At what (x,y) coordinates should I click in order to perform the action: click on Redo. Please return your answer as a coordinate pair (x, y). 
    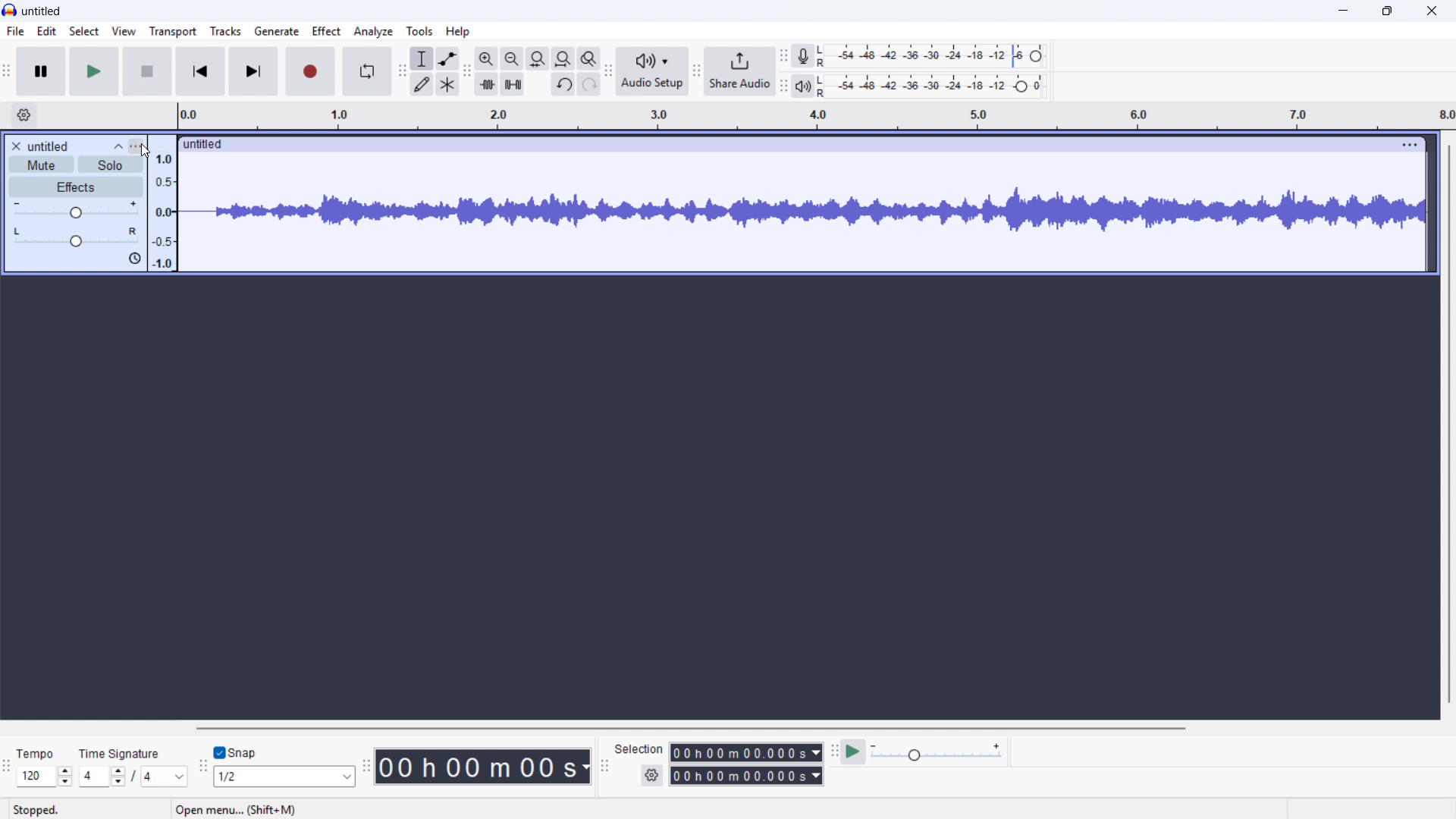
    Looking at the image, I should click on (589, 85).